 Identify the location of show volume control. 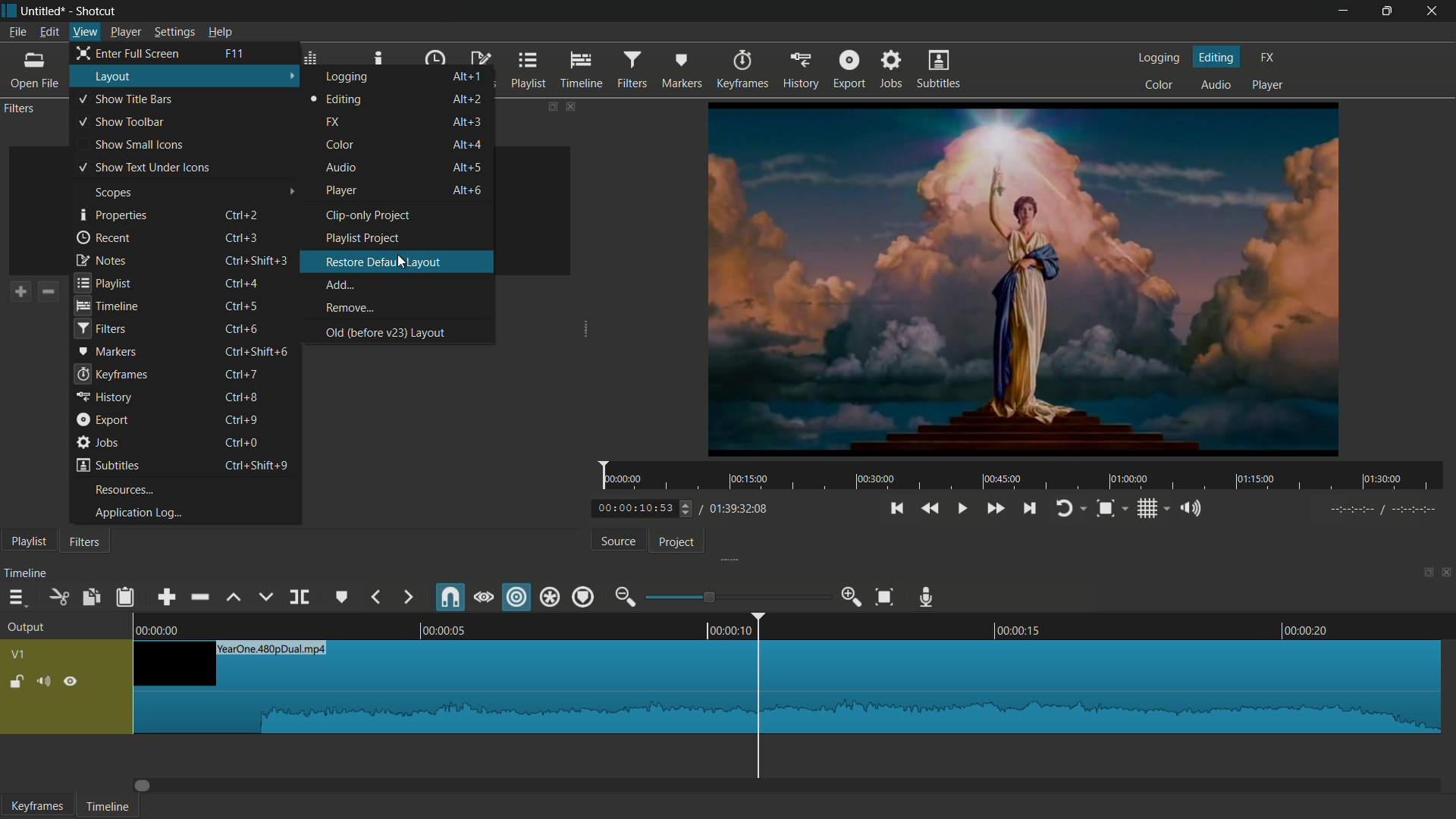
(1193, 510).